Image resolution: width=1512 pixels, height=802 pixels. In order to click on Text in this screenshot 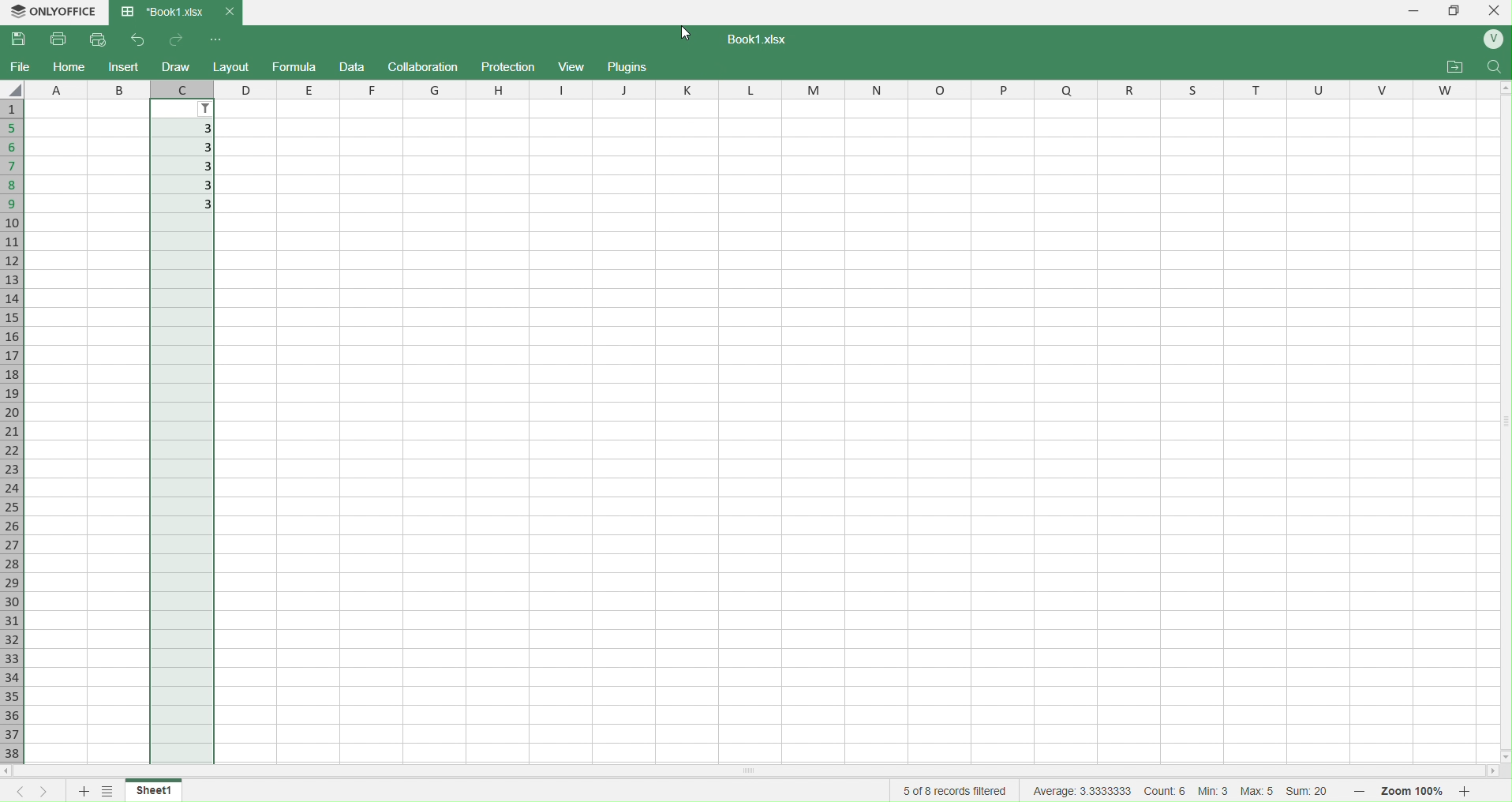, I will do `click(753, 39)`.